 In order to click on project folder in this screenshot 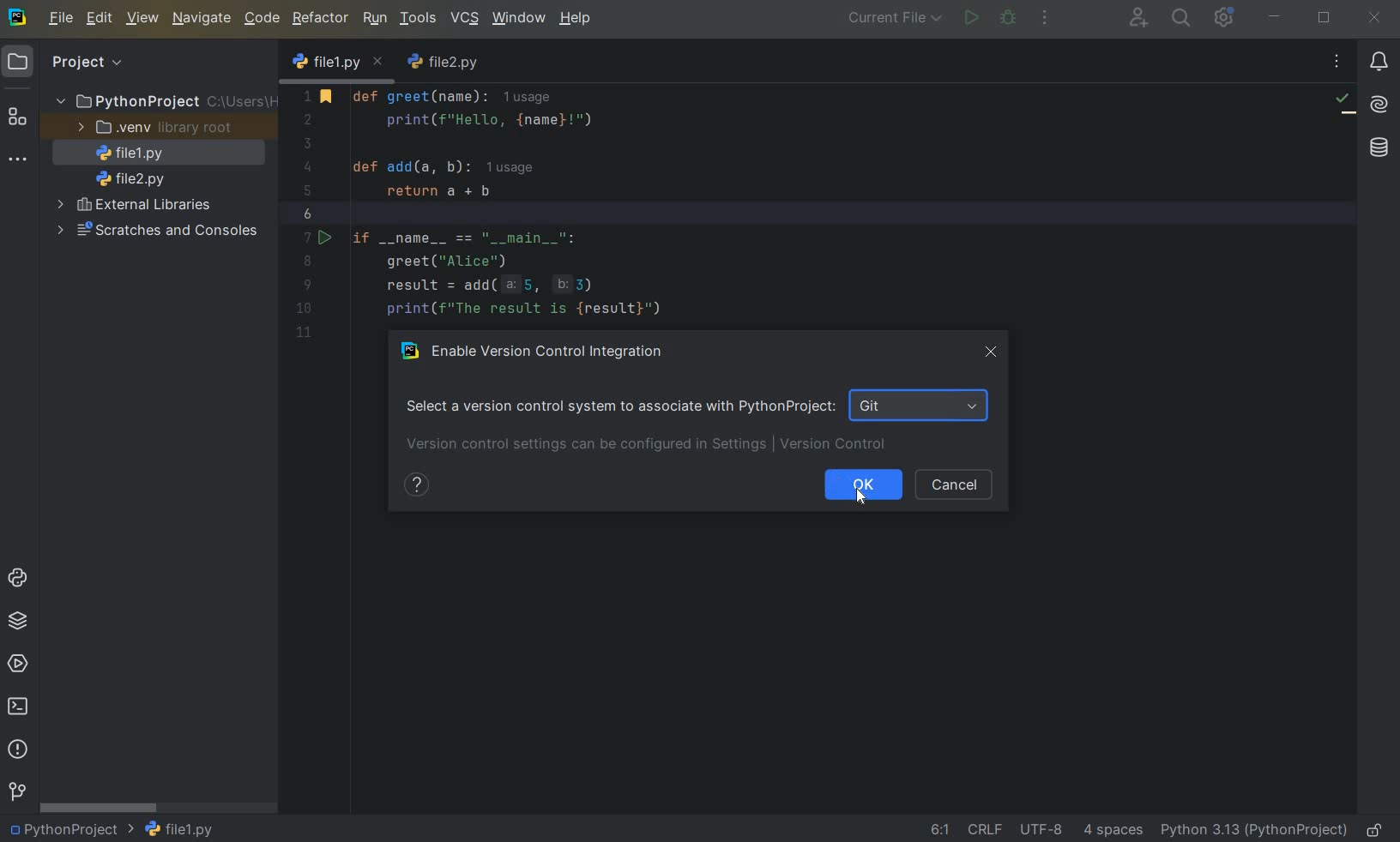, I will do `click(164, 101)`.